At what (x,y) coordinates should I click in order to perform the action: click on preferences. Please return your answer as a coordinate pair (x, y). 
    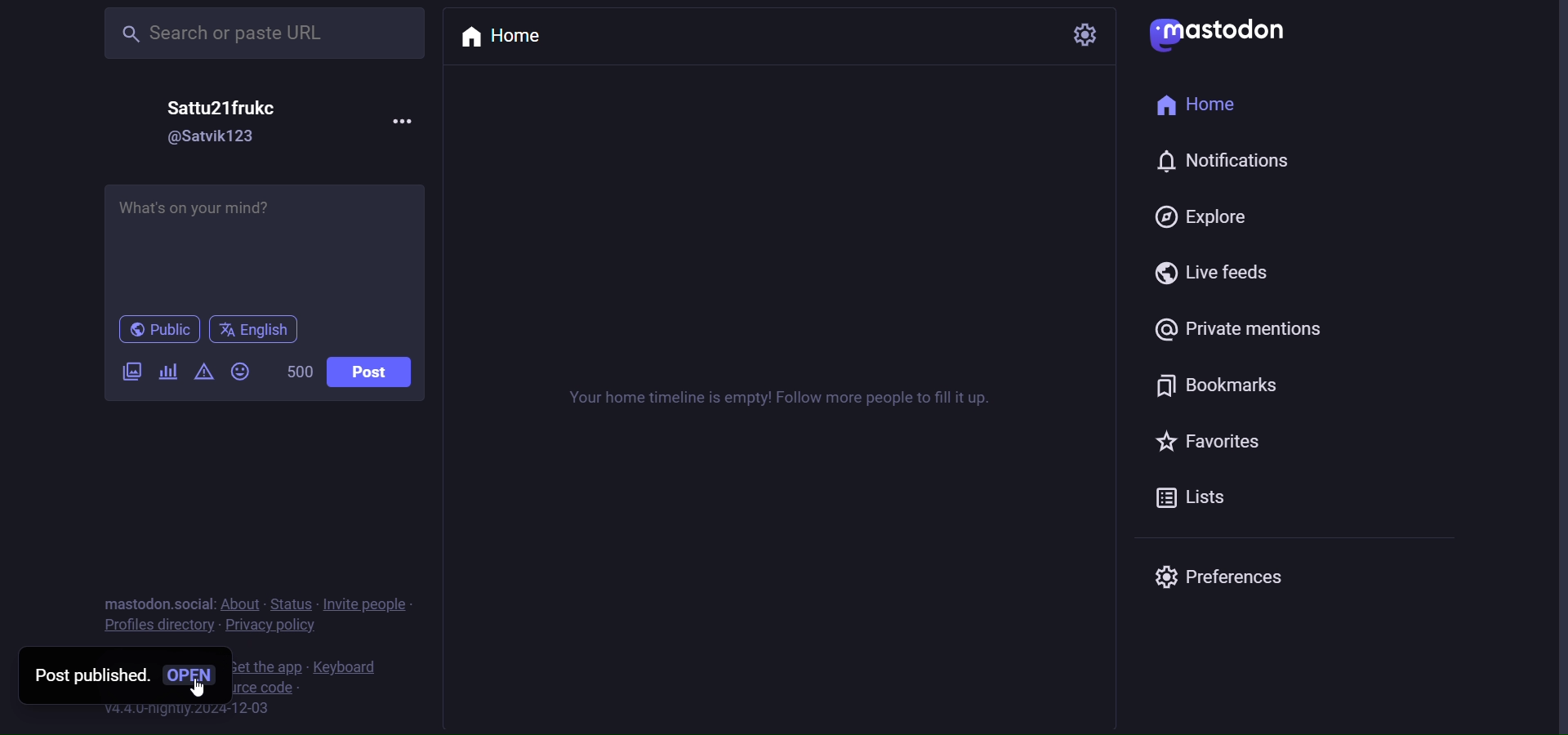
    Looking at the image, I should click on (1226, 579).